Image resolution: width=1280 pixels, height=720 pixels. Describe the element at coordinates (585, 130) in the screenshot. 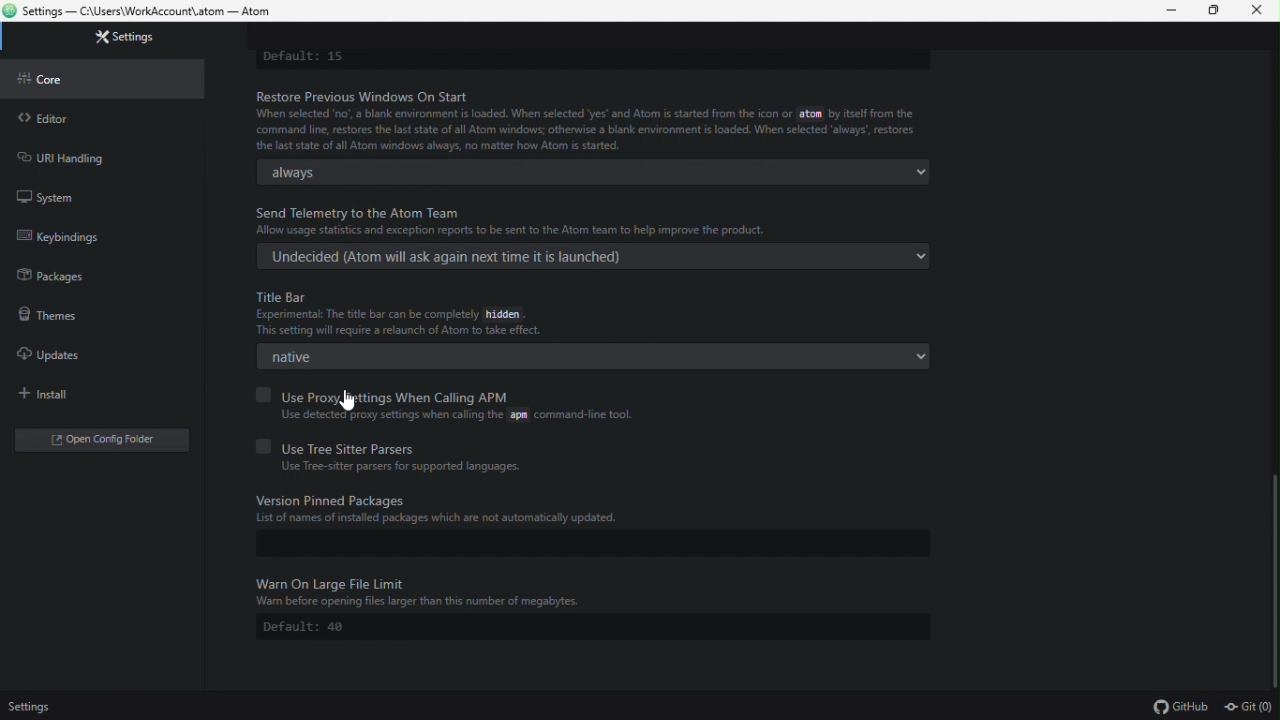

I see `When selected 'no', a blank environment is loaded. When selected 'yes' and Atom is started from the icon or atom by itself from the command line, restores the last state of all Atom windows; otherwise a blank environment is loaded. When selected 'always', restores the last state of all Atom windows always, no matter how Atom is started.` at that location.